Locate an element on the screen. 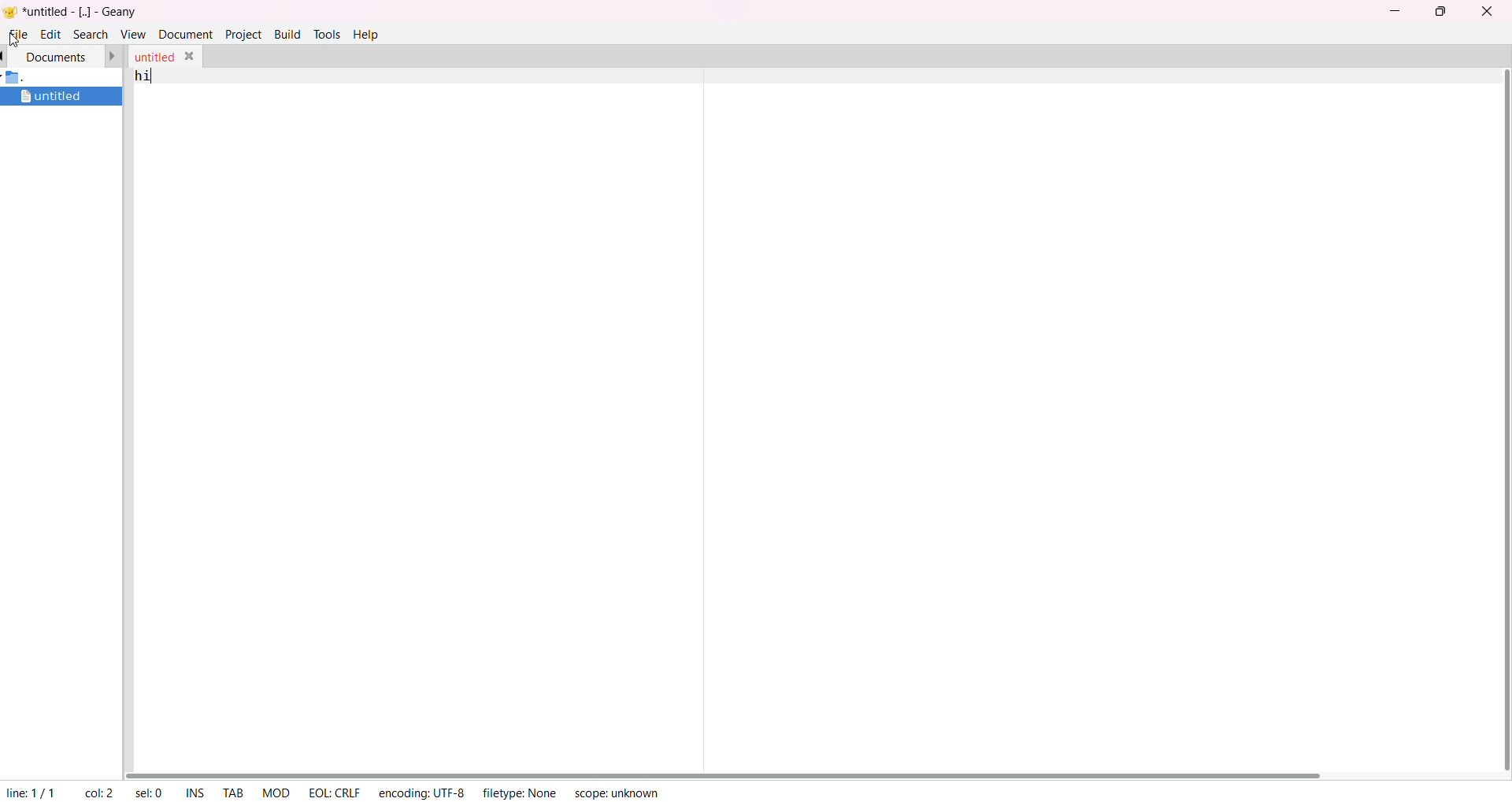 This screenshot has height=802, width=1512. col: 2 is located at coordinates (99, 793).